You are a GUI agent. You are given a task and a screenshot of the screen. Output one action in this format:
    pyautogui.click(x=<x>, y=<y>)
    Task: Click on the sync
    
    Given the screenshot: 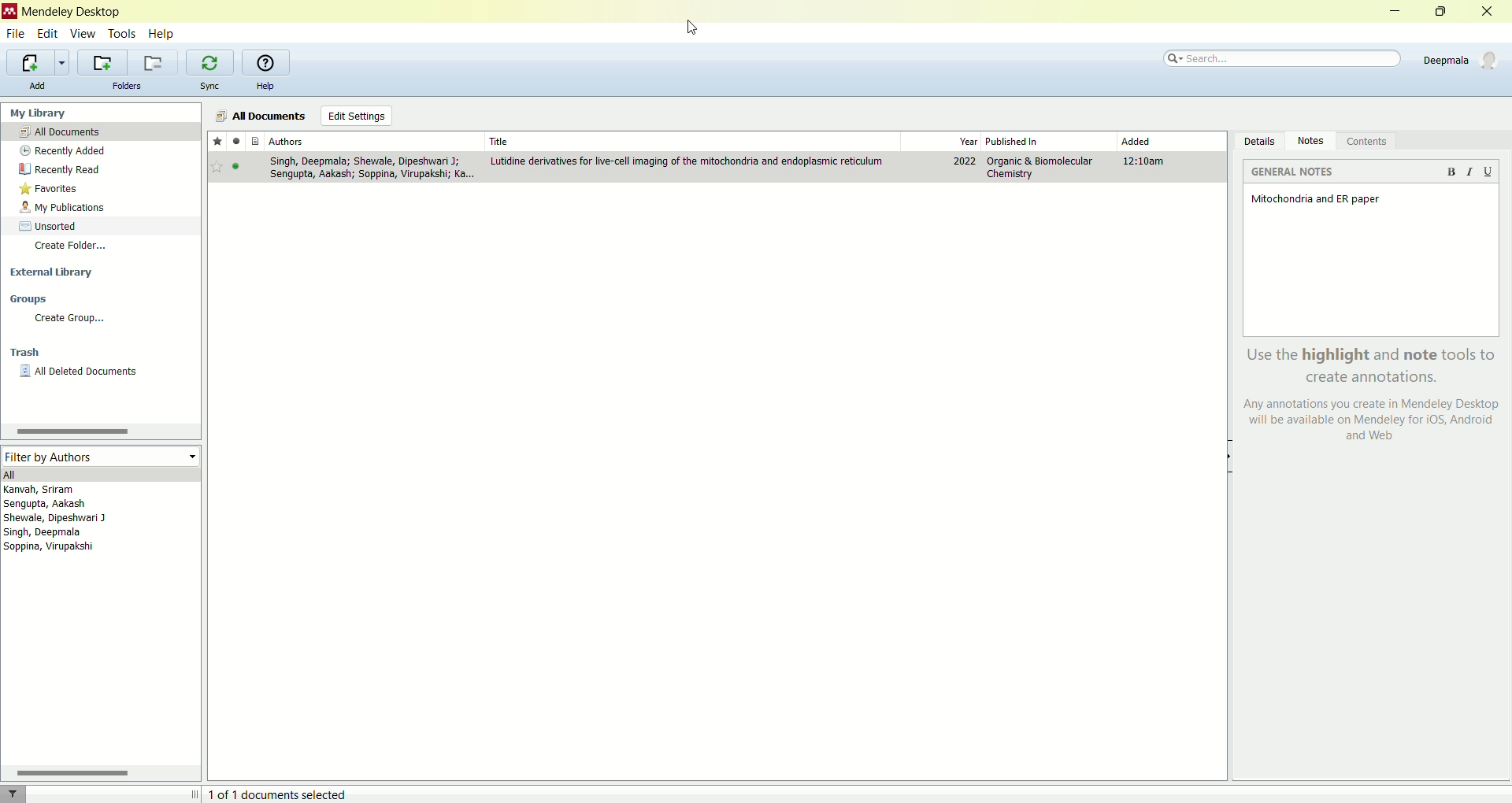 What is the action you would take?
    pyautogui.click(x=210, y=85)
    